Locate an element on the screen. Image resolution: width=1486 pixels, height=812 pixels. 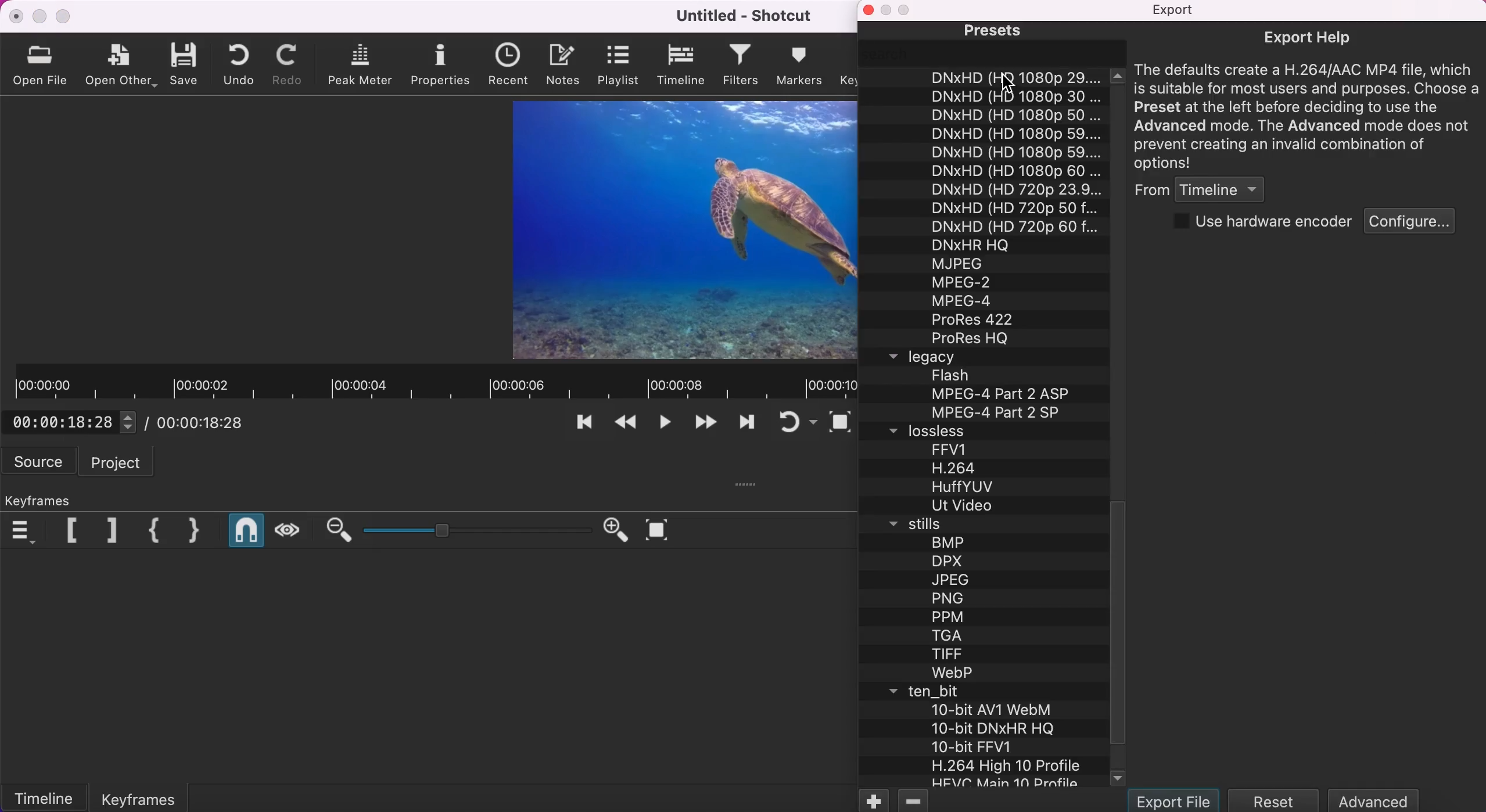
list of lossless presets is located at coordinates (985, 477).